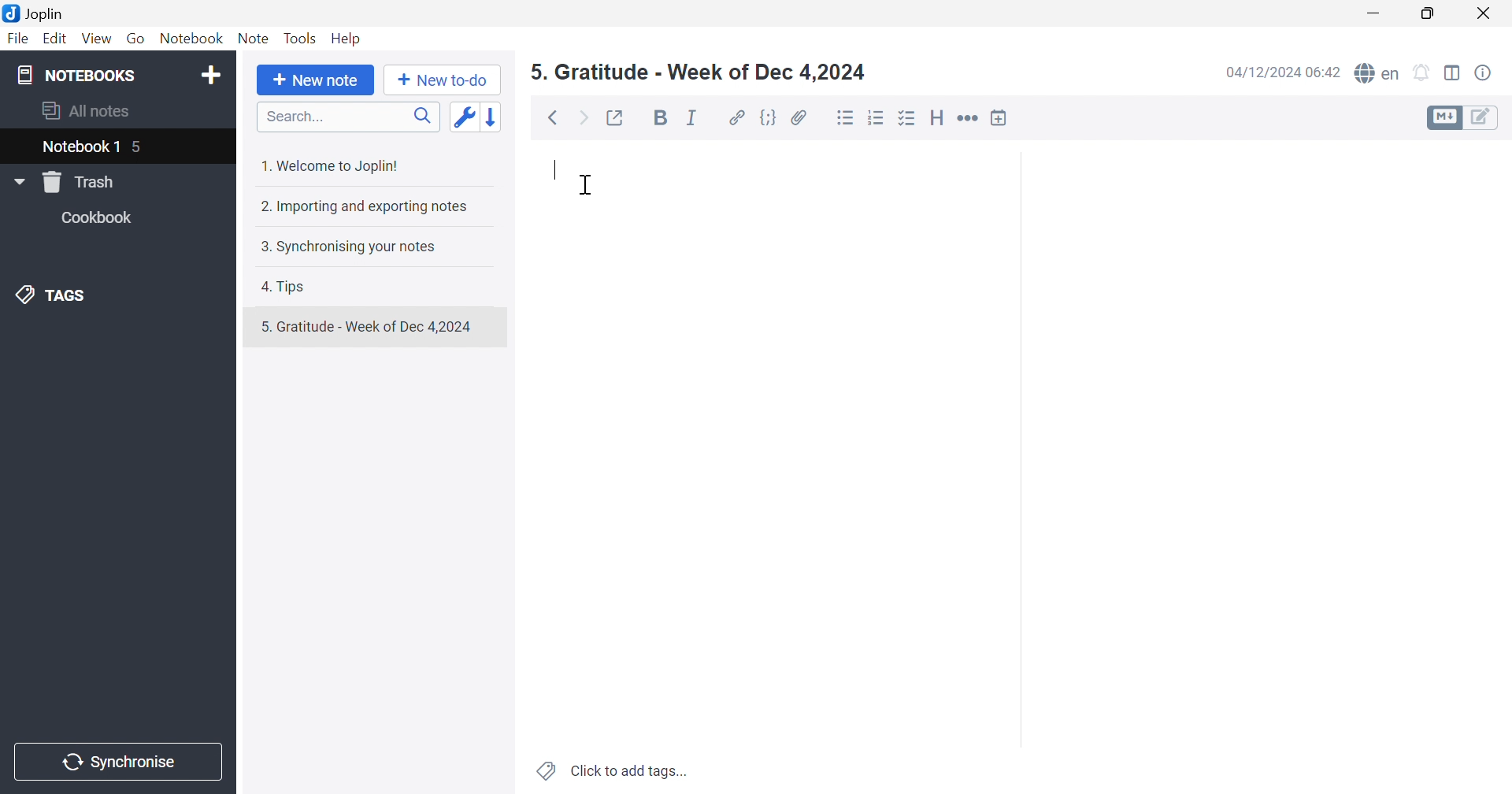 This screenshot has height=794, width=1512. Describe the element at coordinates (80, 149) in the screenshot. I see `Notebook 1` at that location.